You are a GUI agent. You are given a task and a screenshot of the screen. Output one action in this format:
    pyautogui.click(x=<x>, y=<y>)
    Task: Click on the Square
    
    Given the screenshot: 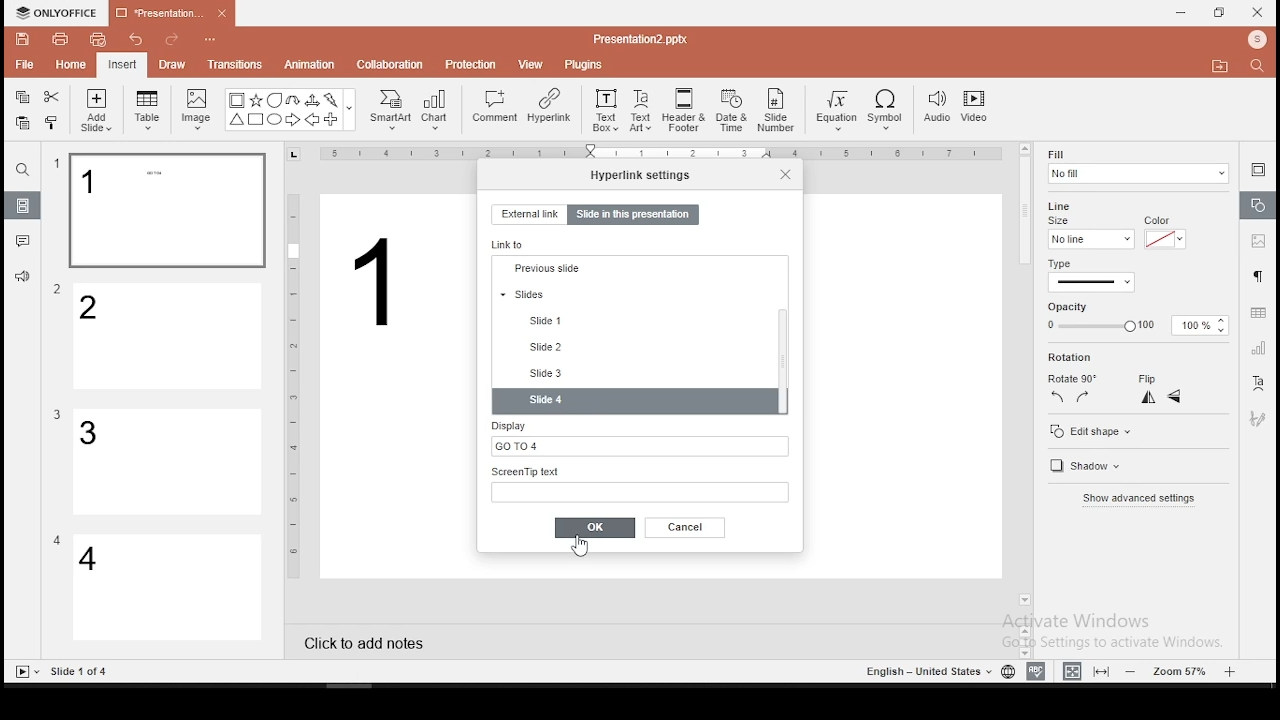 What is the action you would take?
    pyautogui.click(x=255, y=121)
    